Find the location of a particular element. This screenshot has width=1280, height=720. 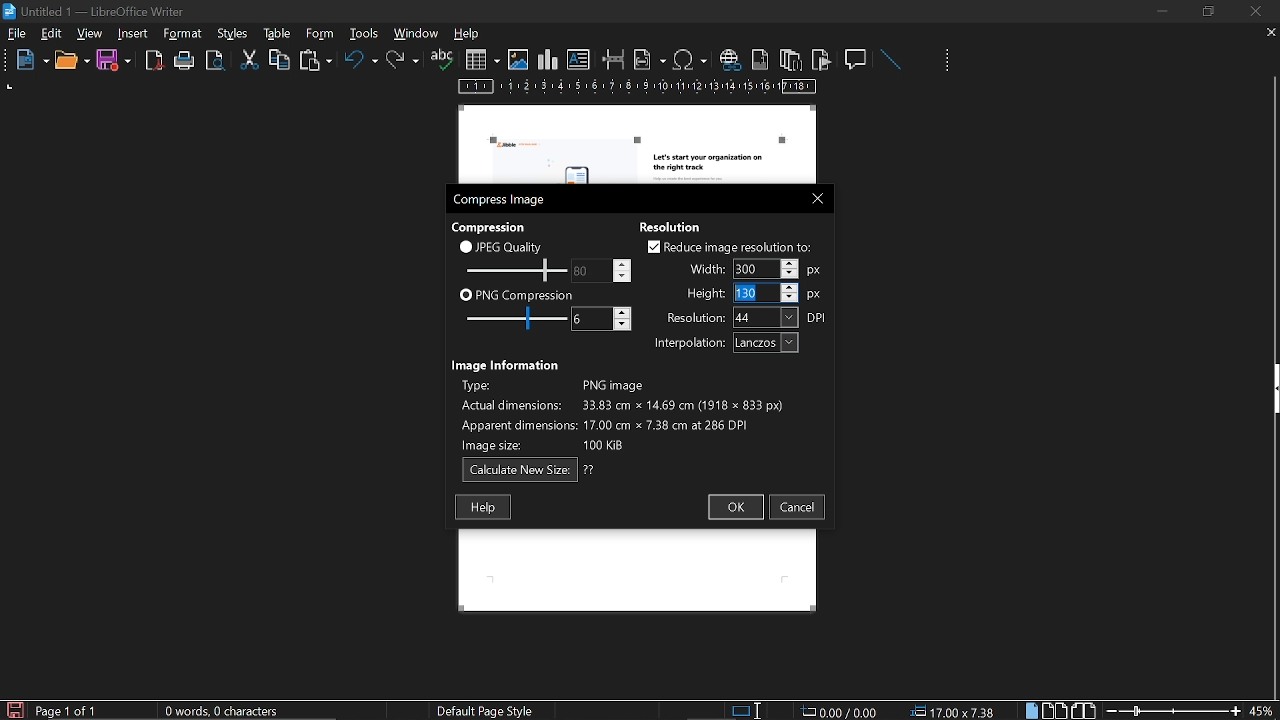

multiple page view is located at coordinates (1055, 711).